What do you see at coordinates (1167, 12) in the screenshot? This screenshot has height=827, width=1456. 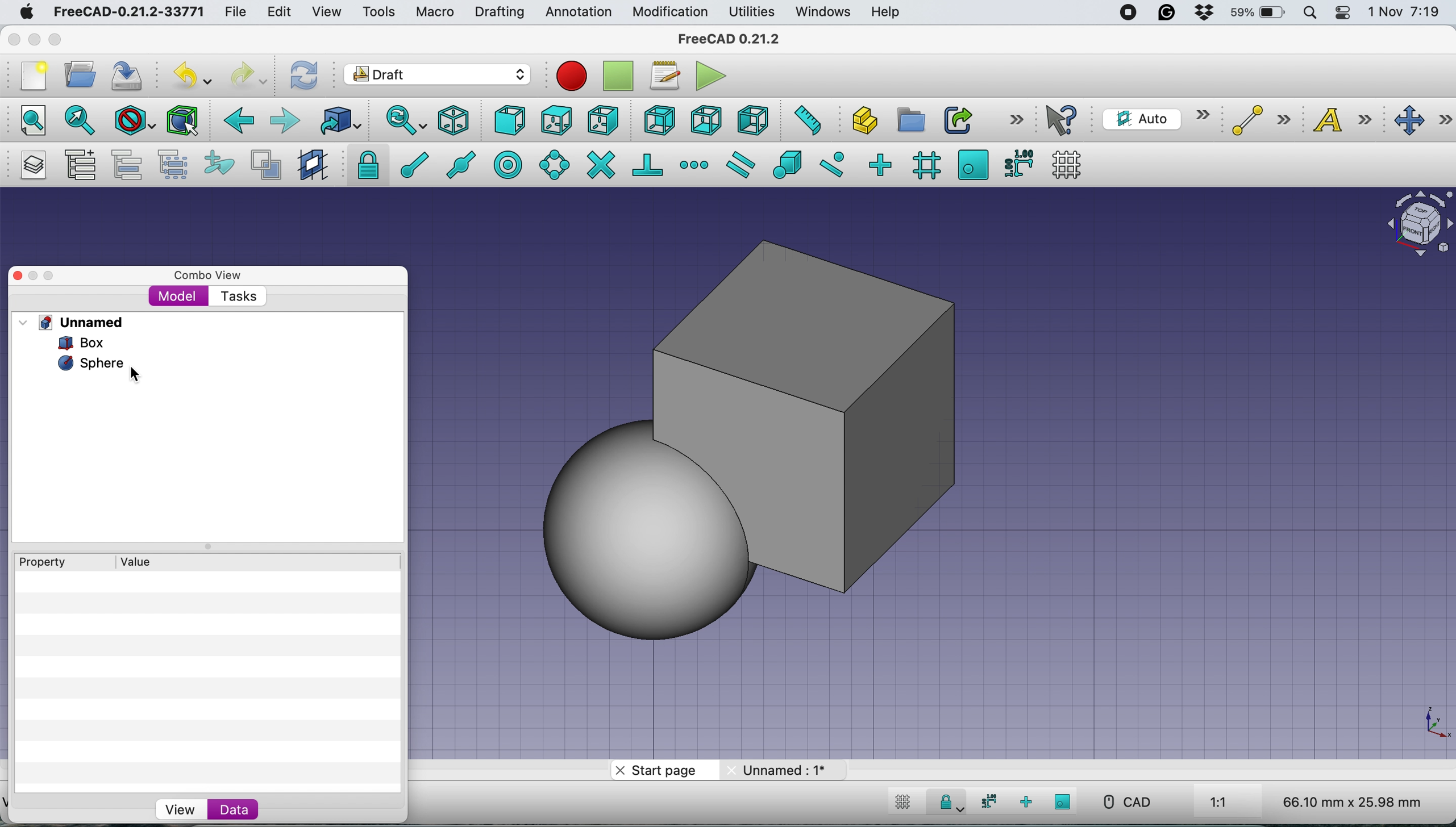 I see `grammarly` at bounding box center [1167, 12].